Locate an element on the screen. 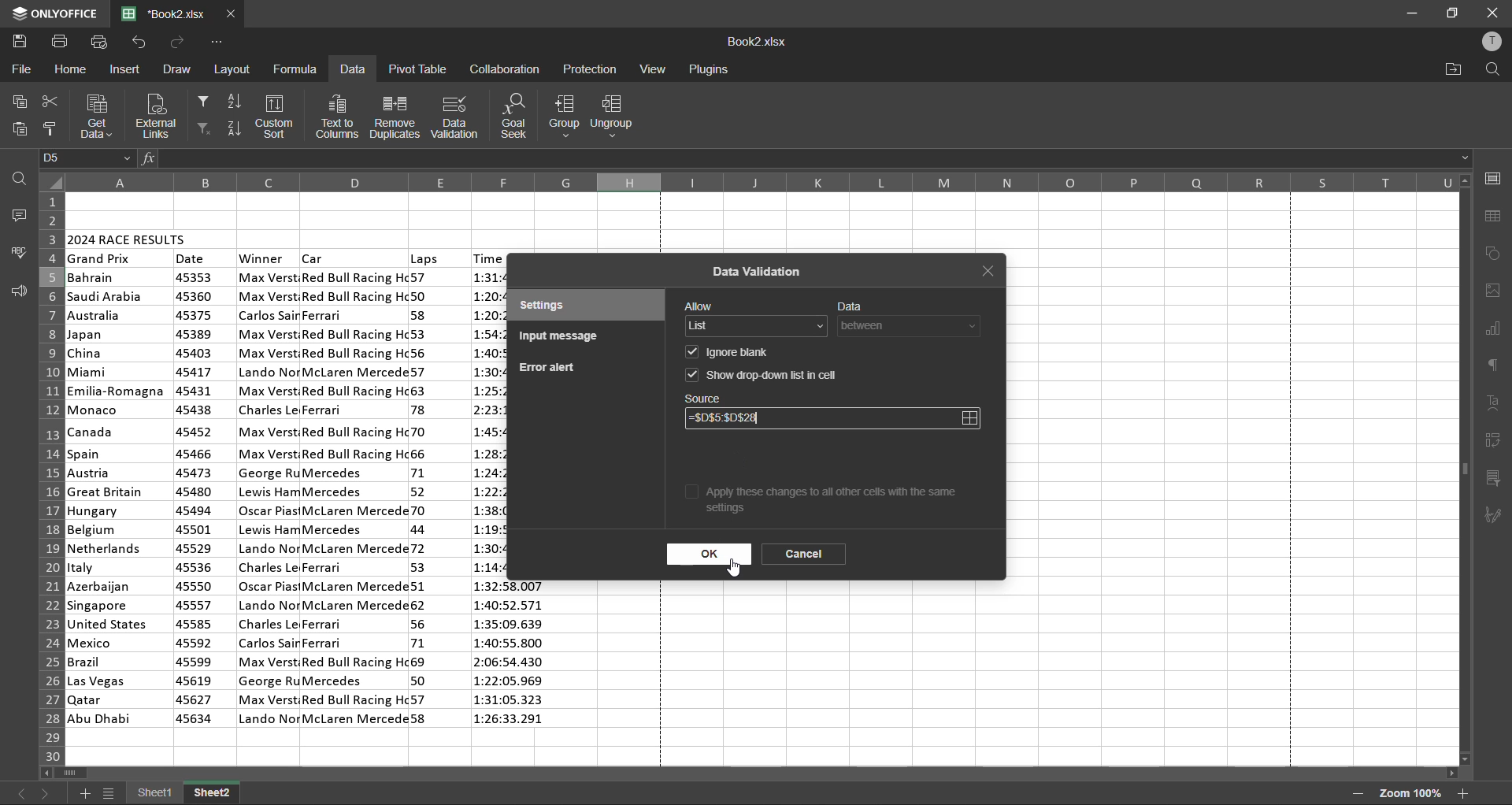 The width and height of the screenshot is (1512, 805). ungroup is located at coordinates (619, 117).